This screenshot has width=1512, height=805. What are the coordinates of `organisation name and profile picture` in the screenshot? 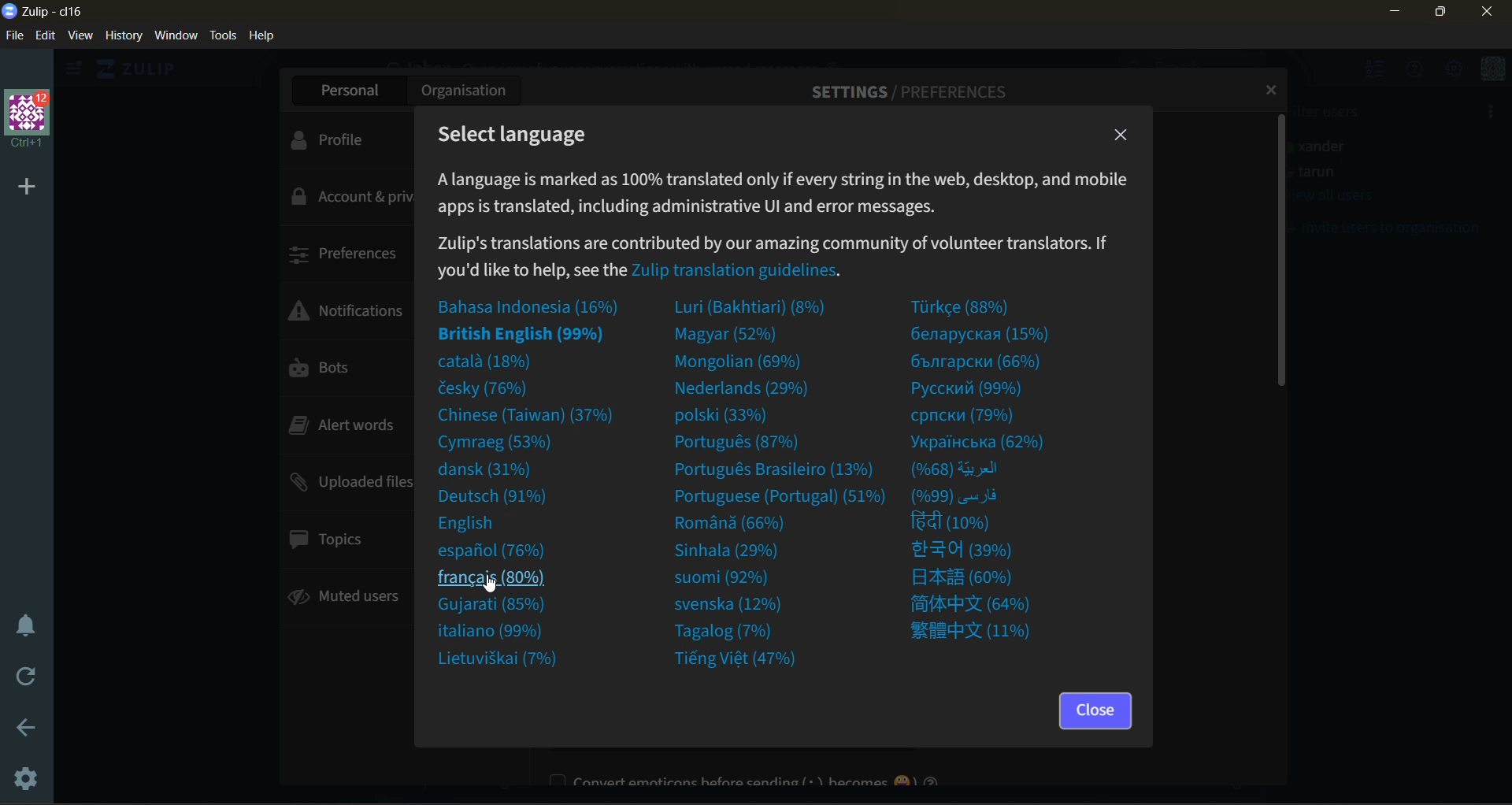 It's located at (28, 117).